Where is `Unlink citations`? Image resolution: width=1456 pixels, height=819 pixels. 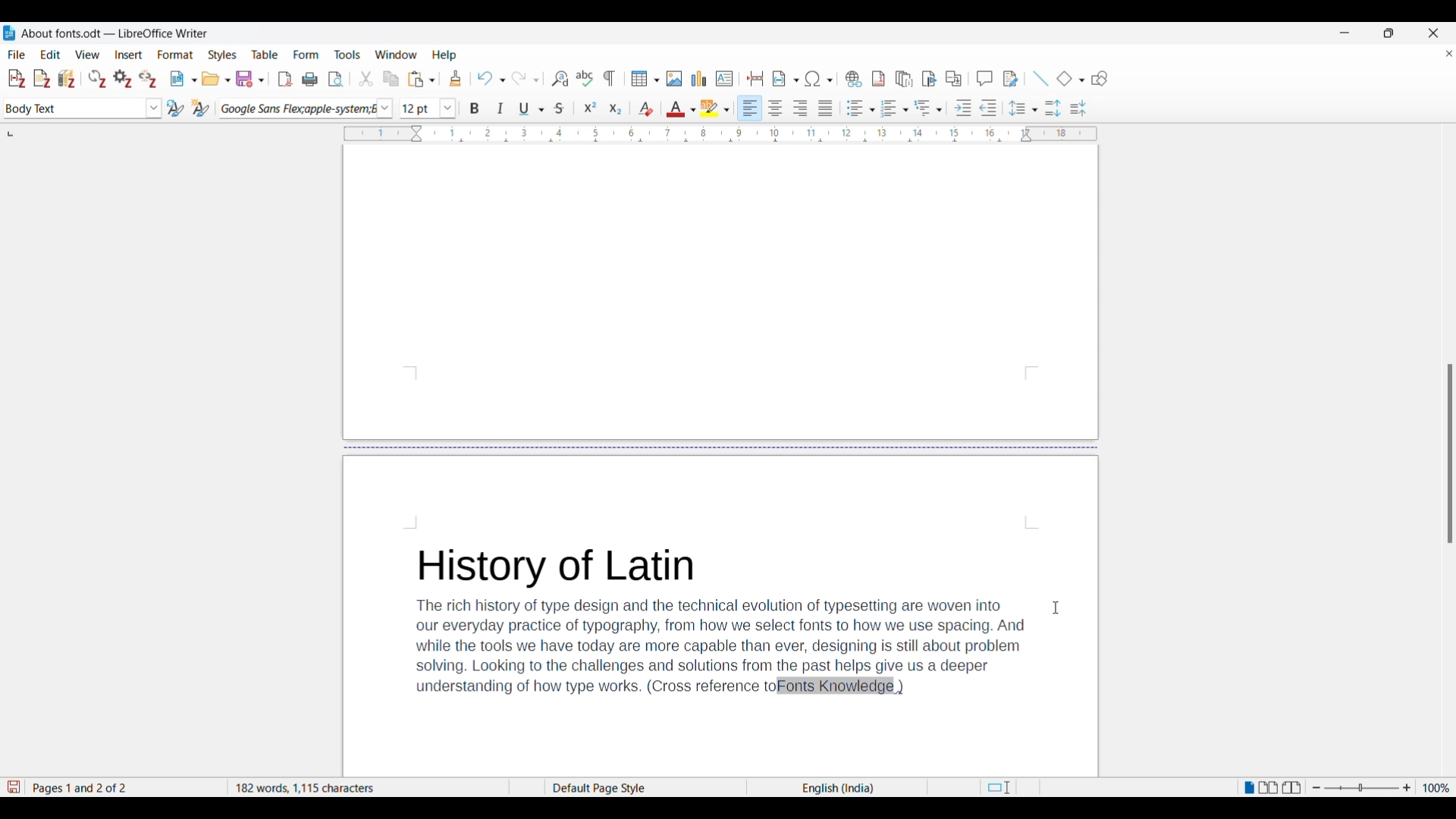 Unlink citations is located at coordinates (147, 80).